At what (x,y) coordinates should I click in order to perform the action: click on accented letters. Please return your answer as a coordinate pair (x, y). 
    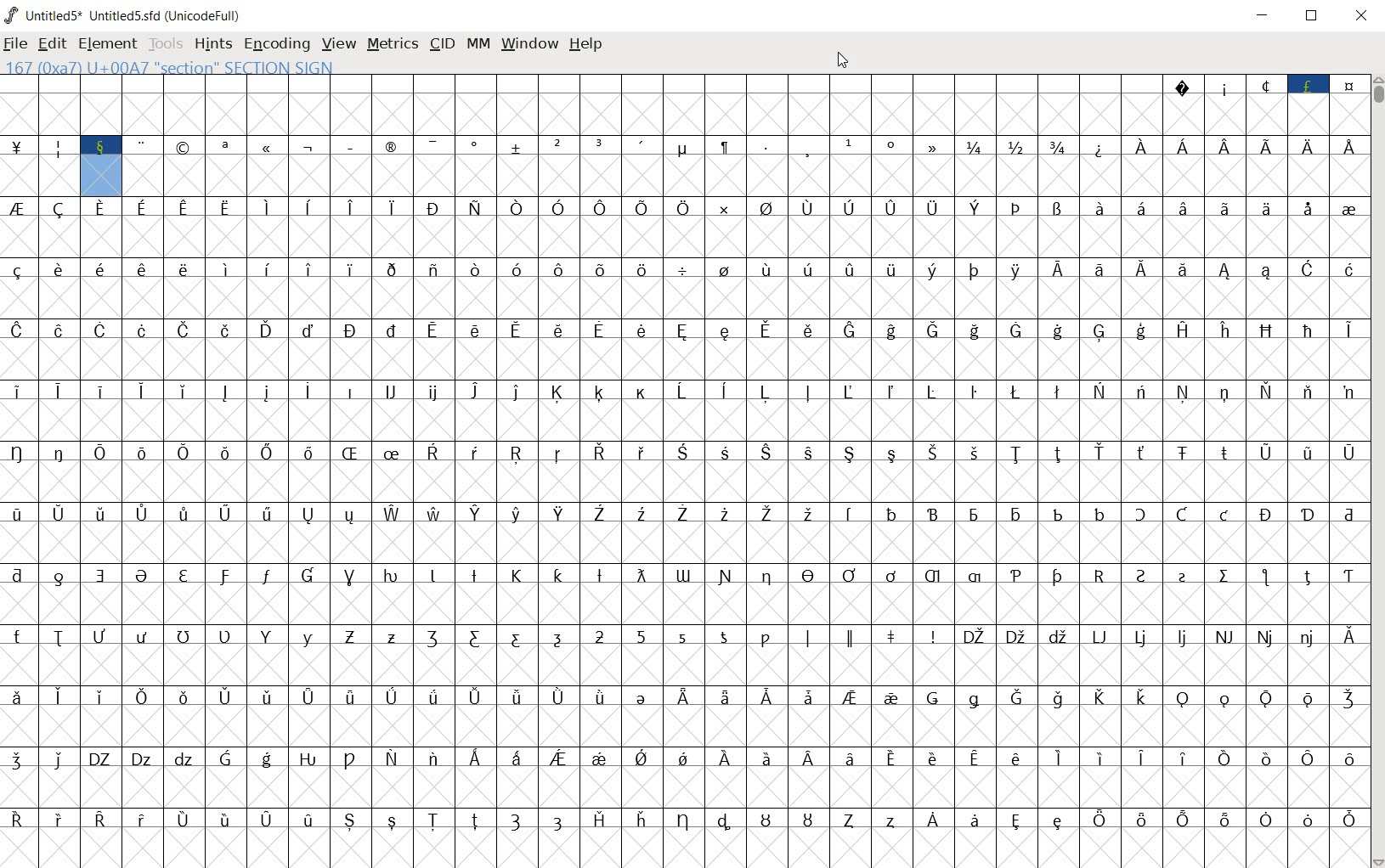
    Looking at the image, I should click on (206, 350).